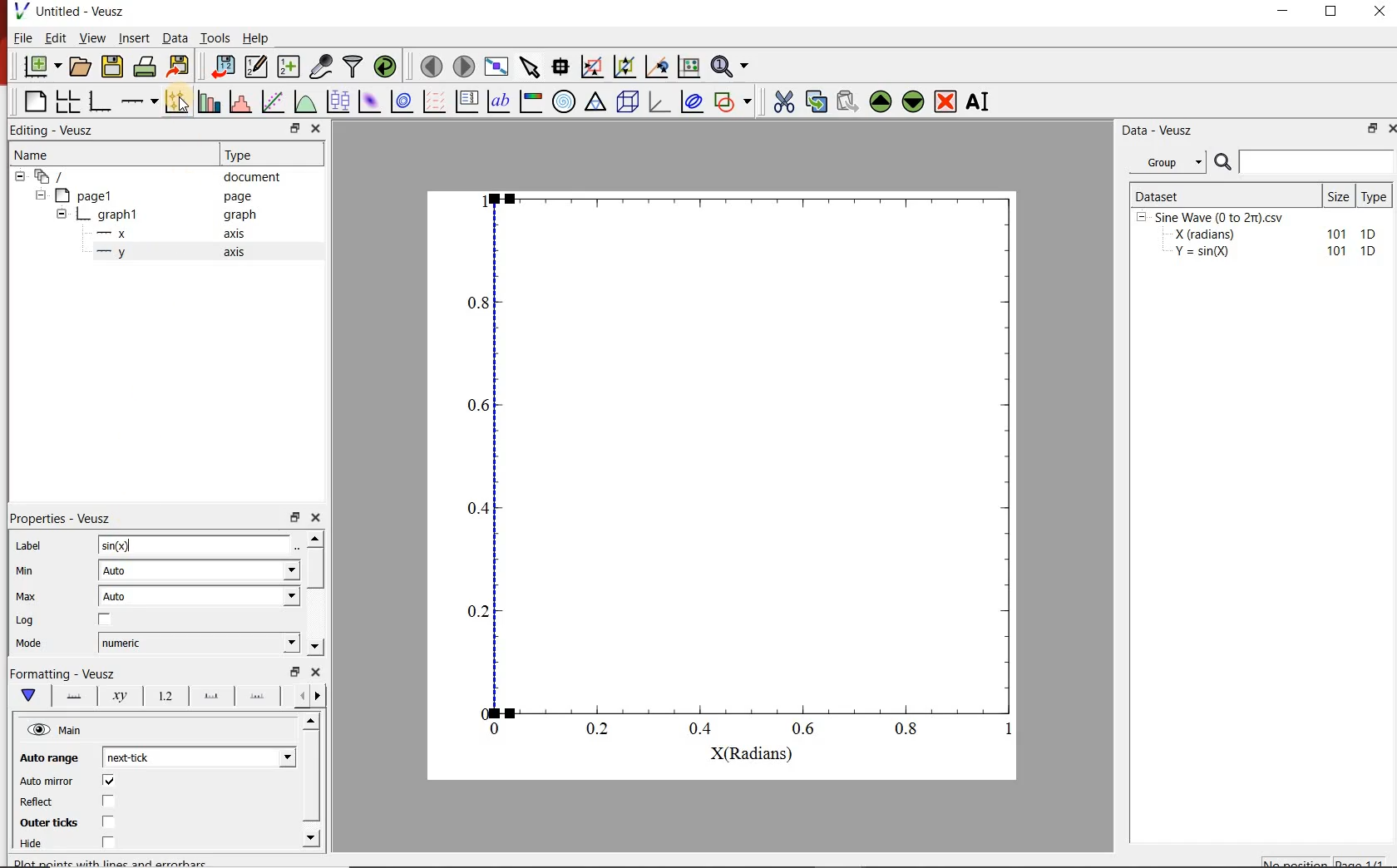 The width and height of the screenshot is (1397, 868). Describe the element at coordinates (208, 697) in the screenshot. I see `options` at that location.